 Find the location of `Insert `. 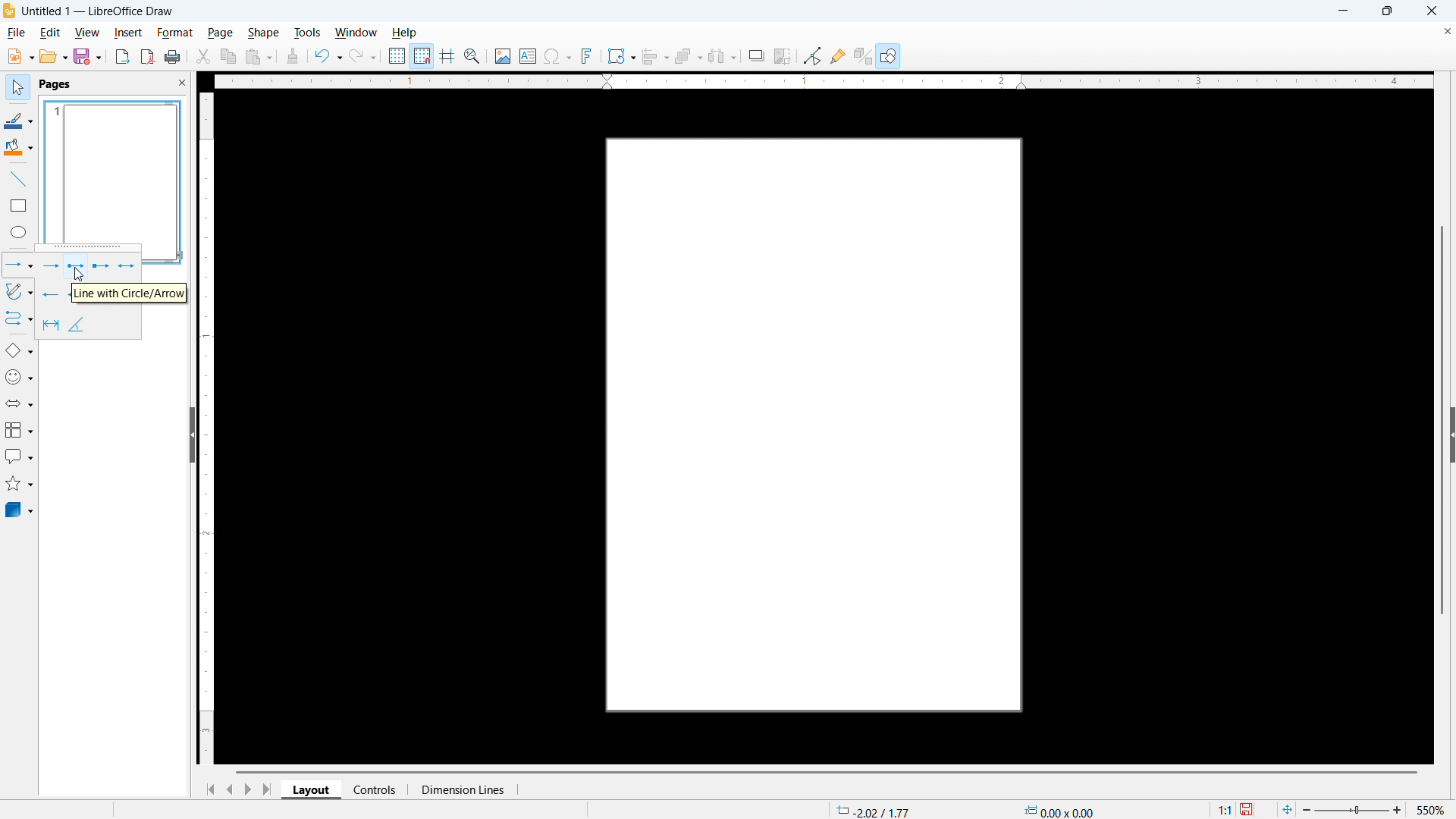

Insert  is located at coordinates (127, 32).